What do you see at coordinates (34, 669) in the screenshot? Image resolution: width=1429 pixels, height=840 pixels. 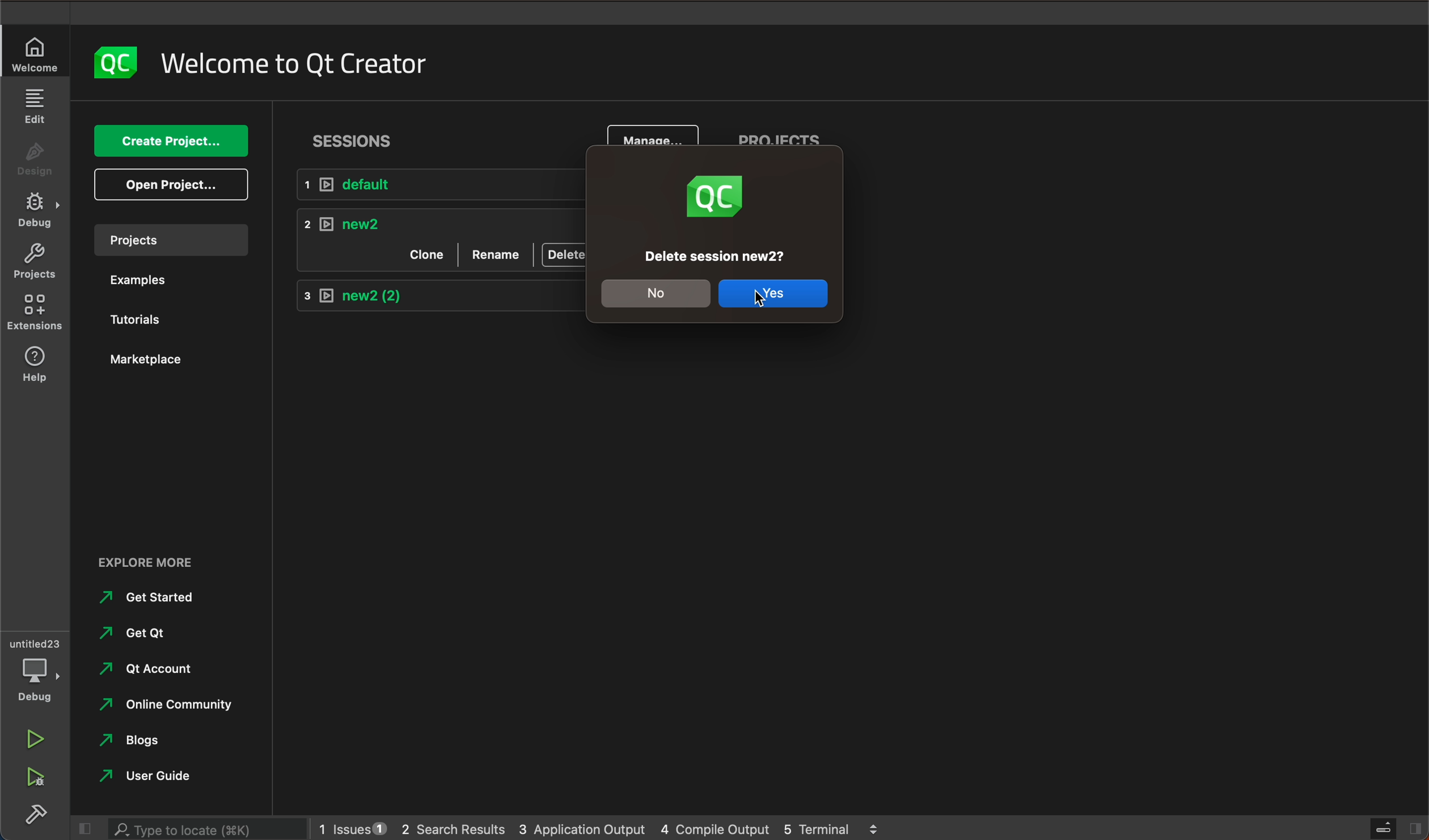 I see `debug` at bounding box center [34, 669].